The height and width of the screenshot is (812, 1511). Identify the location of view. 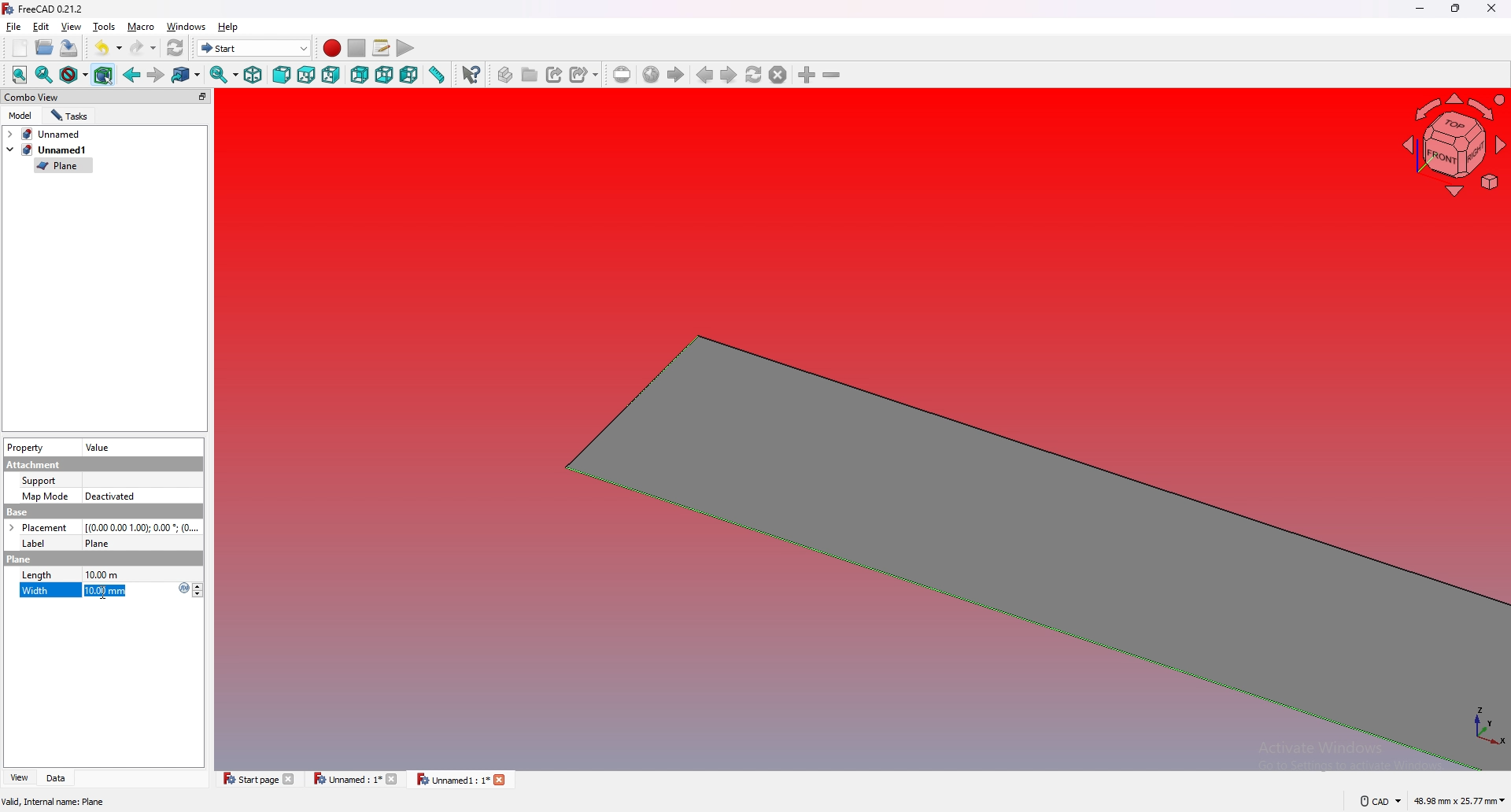
(18, 778).